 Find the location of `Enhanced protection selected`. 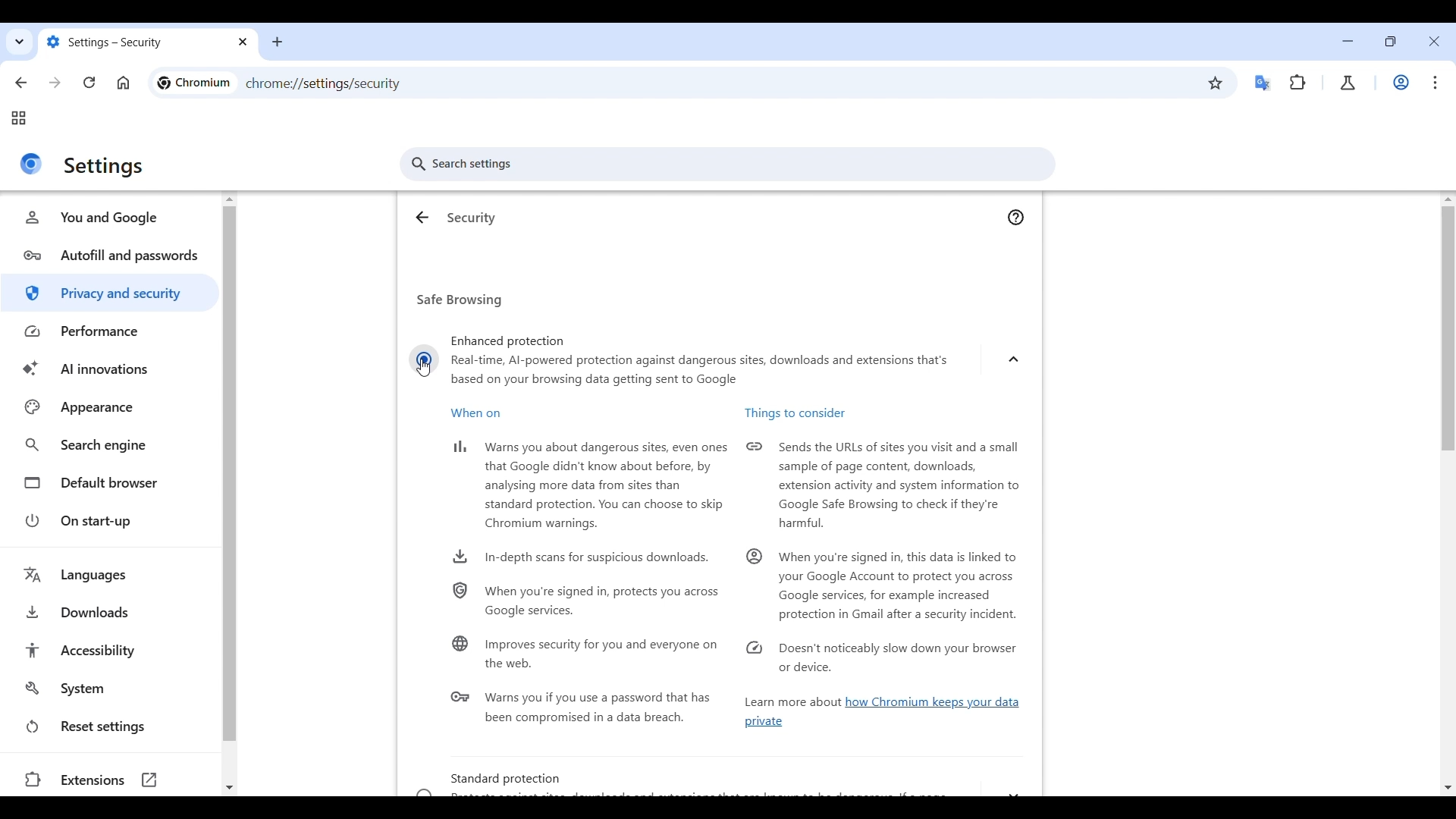

Enhanced protection selected is located at coordinates (424, 359).